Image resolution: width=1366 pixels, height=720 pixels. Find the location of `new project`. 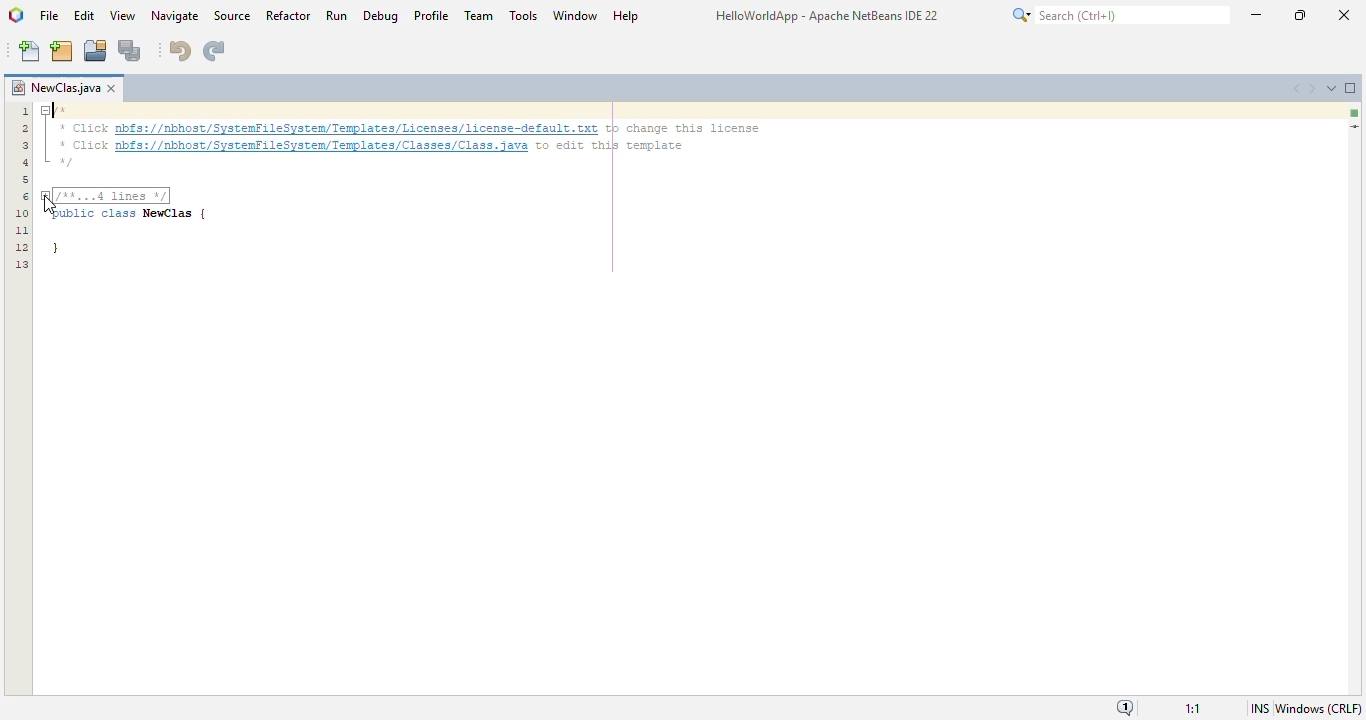

new project is located at coordinates (62, 50).